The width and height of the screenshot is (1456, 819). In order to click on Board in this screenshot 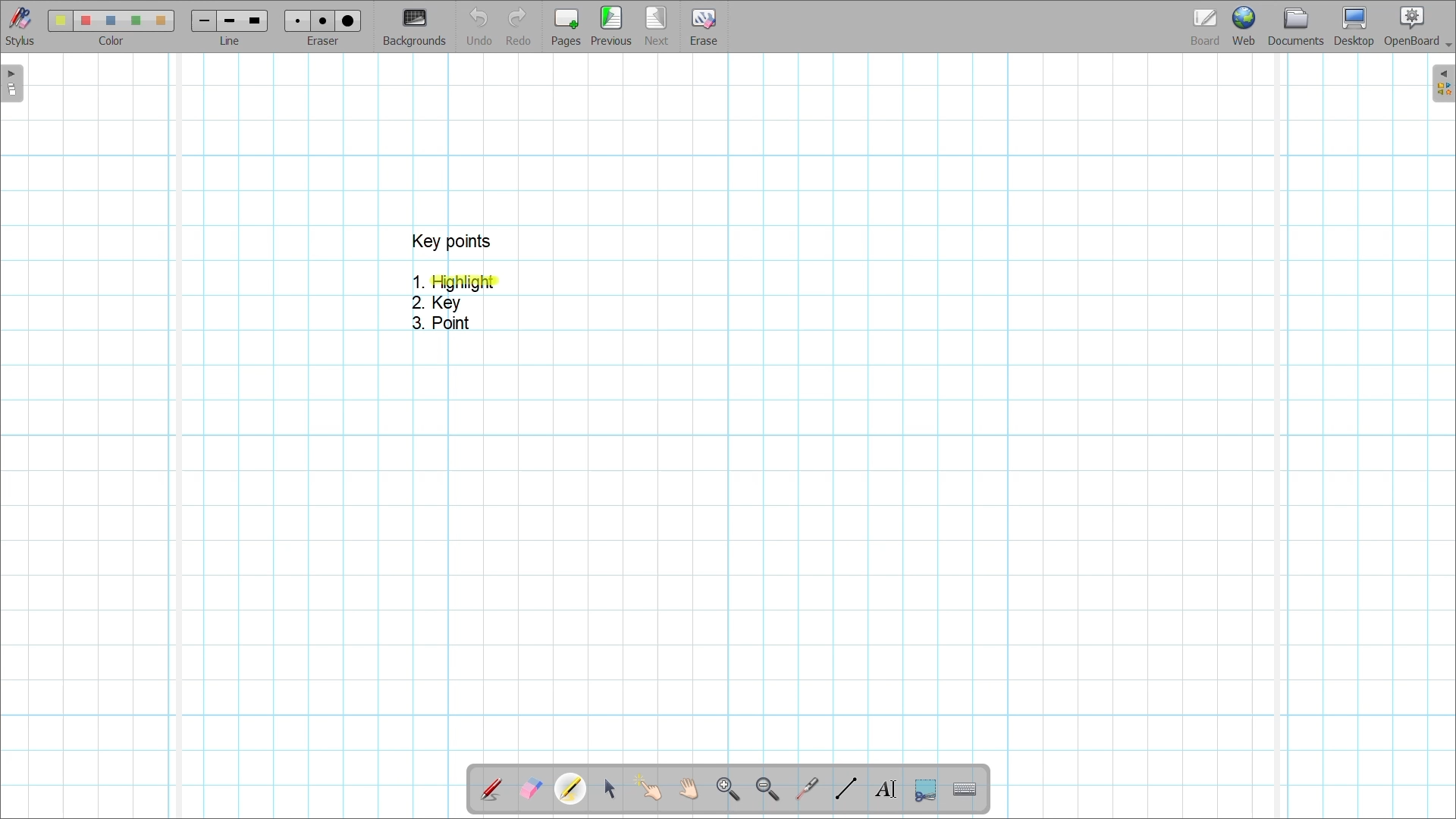, I will do `click(1206, 27)`.